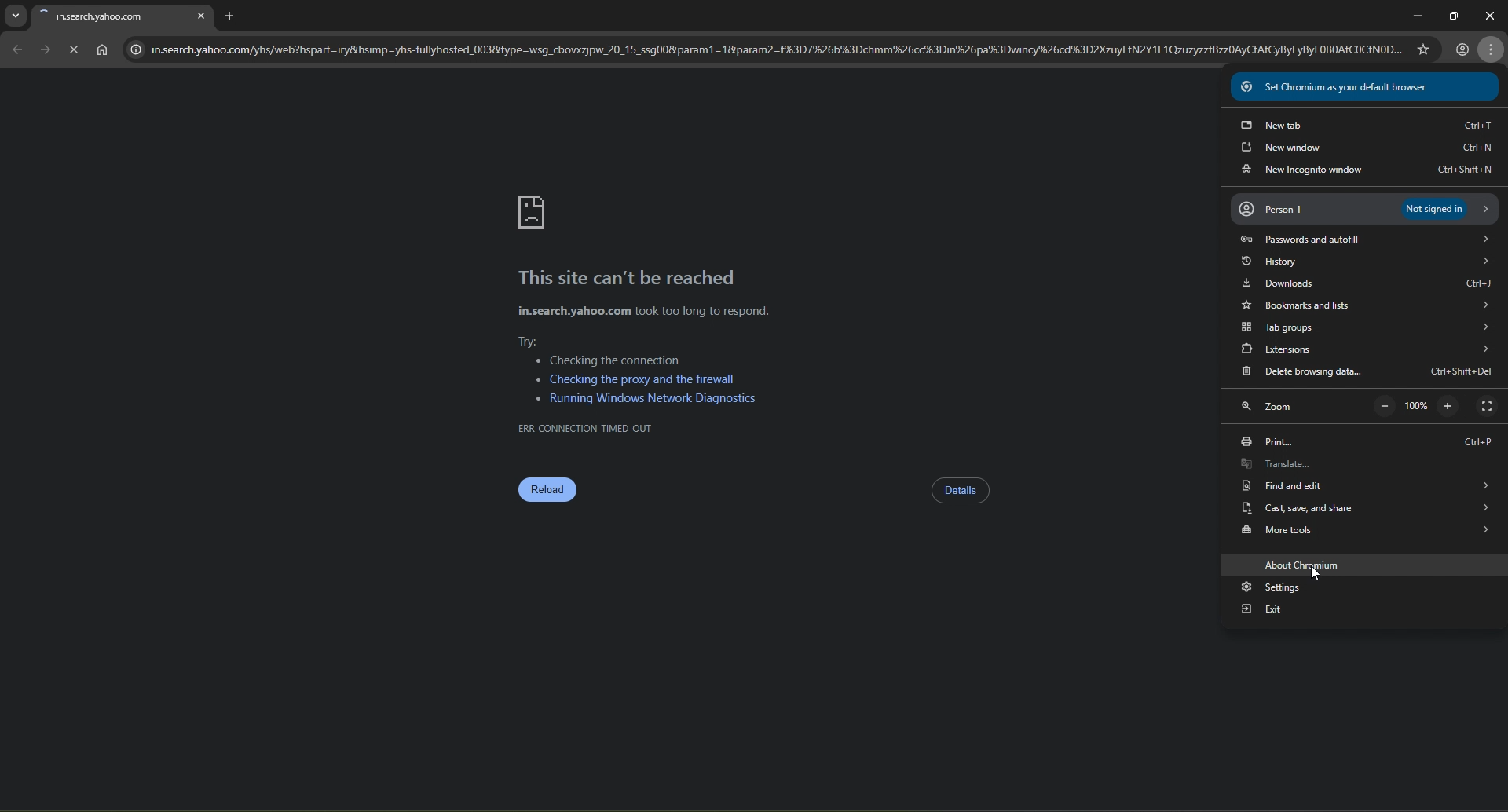 The width and height of the screenshot is (1508, 812). I want to click on print, so click(1370, 442).